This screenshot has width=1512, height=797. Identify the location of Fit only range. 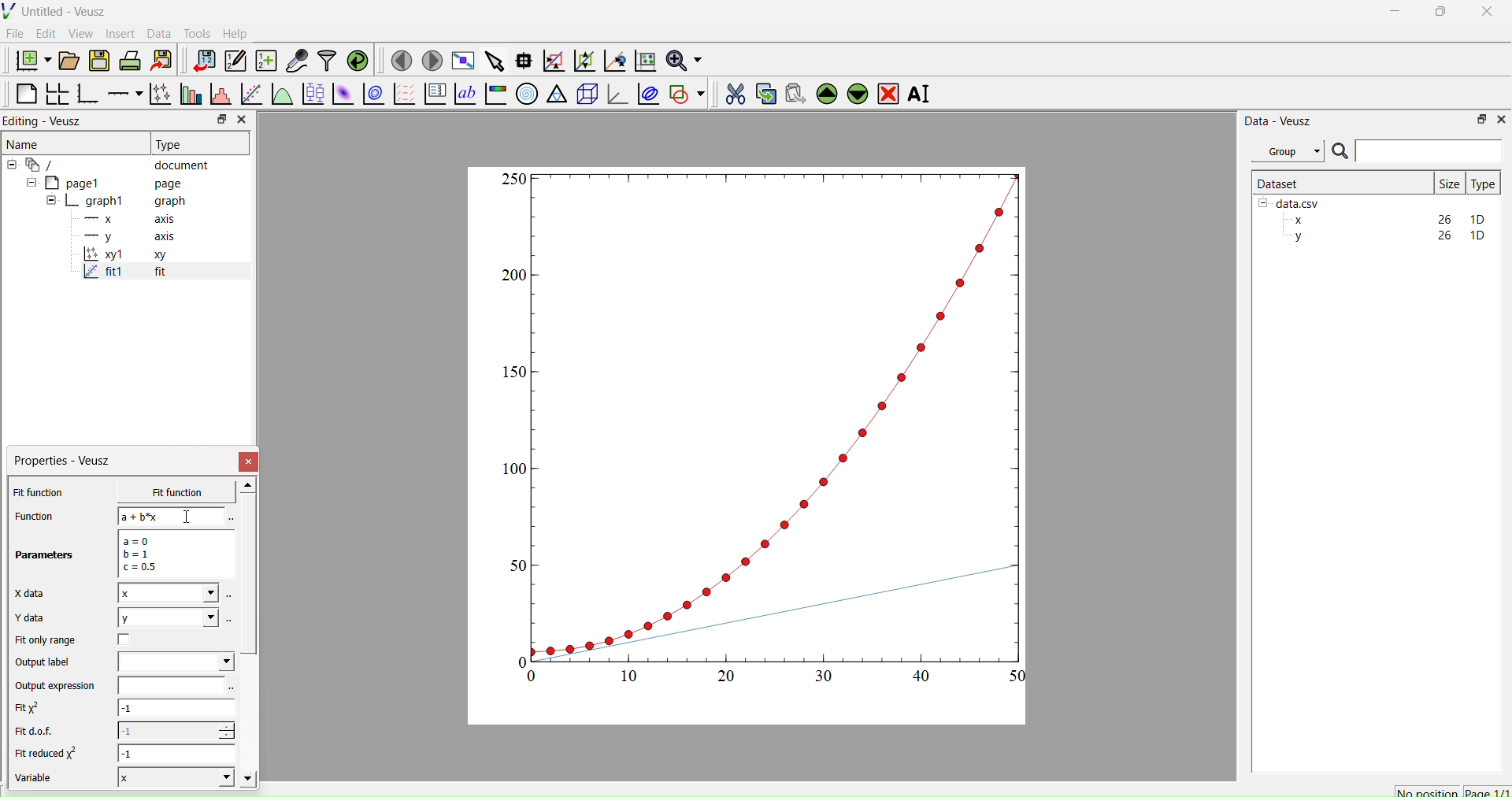
(46, 640).